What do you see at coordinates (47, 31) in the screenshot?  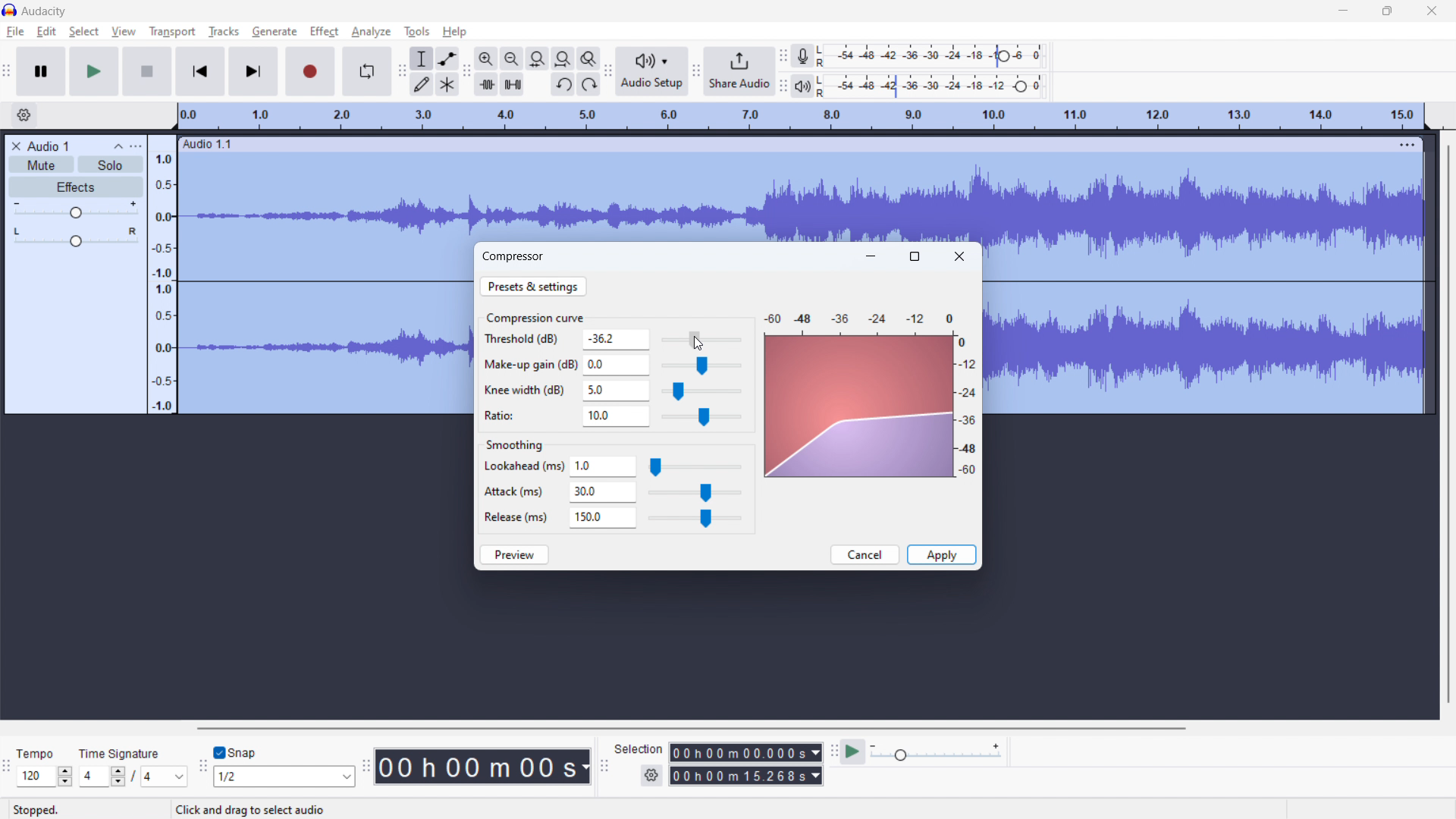 I see `edit` at bounding box center [47, 31].